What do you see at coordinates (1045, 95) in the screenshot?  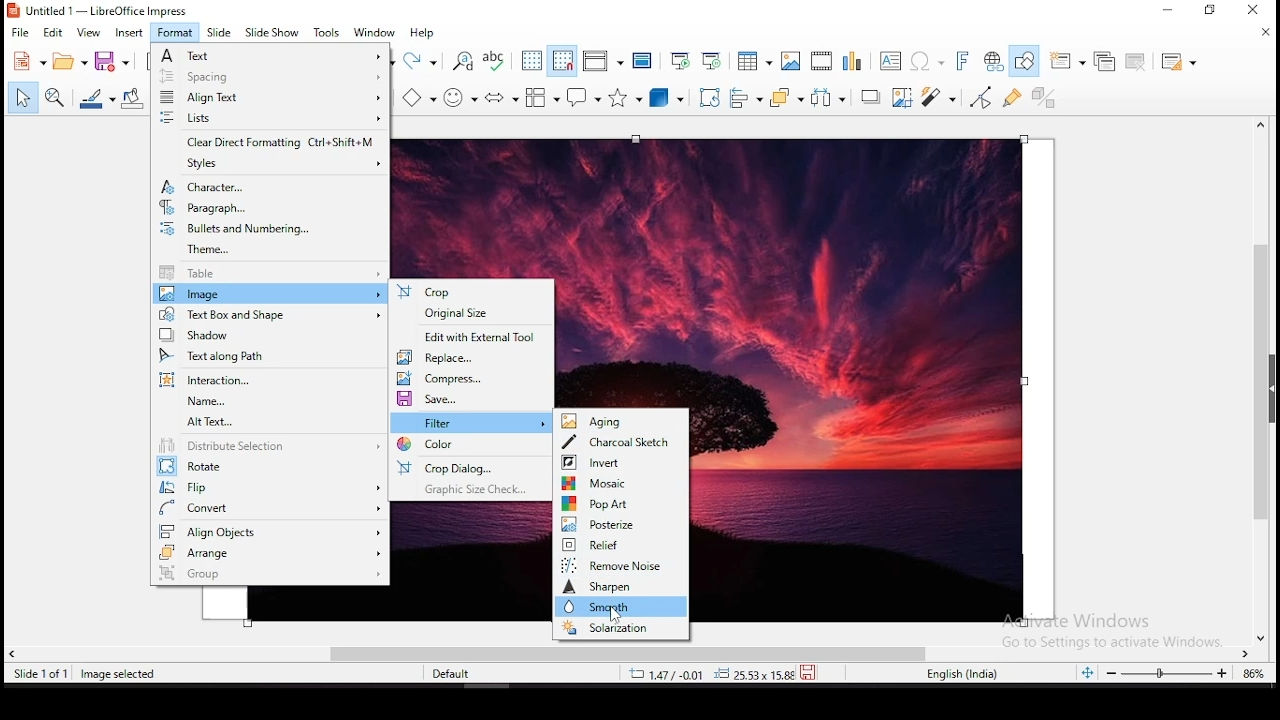 I see `toggle extrusion` at bounding box center [1045, 95].